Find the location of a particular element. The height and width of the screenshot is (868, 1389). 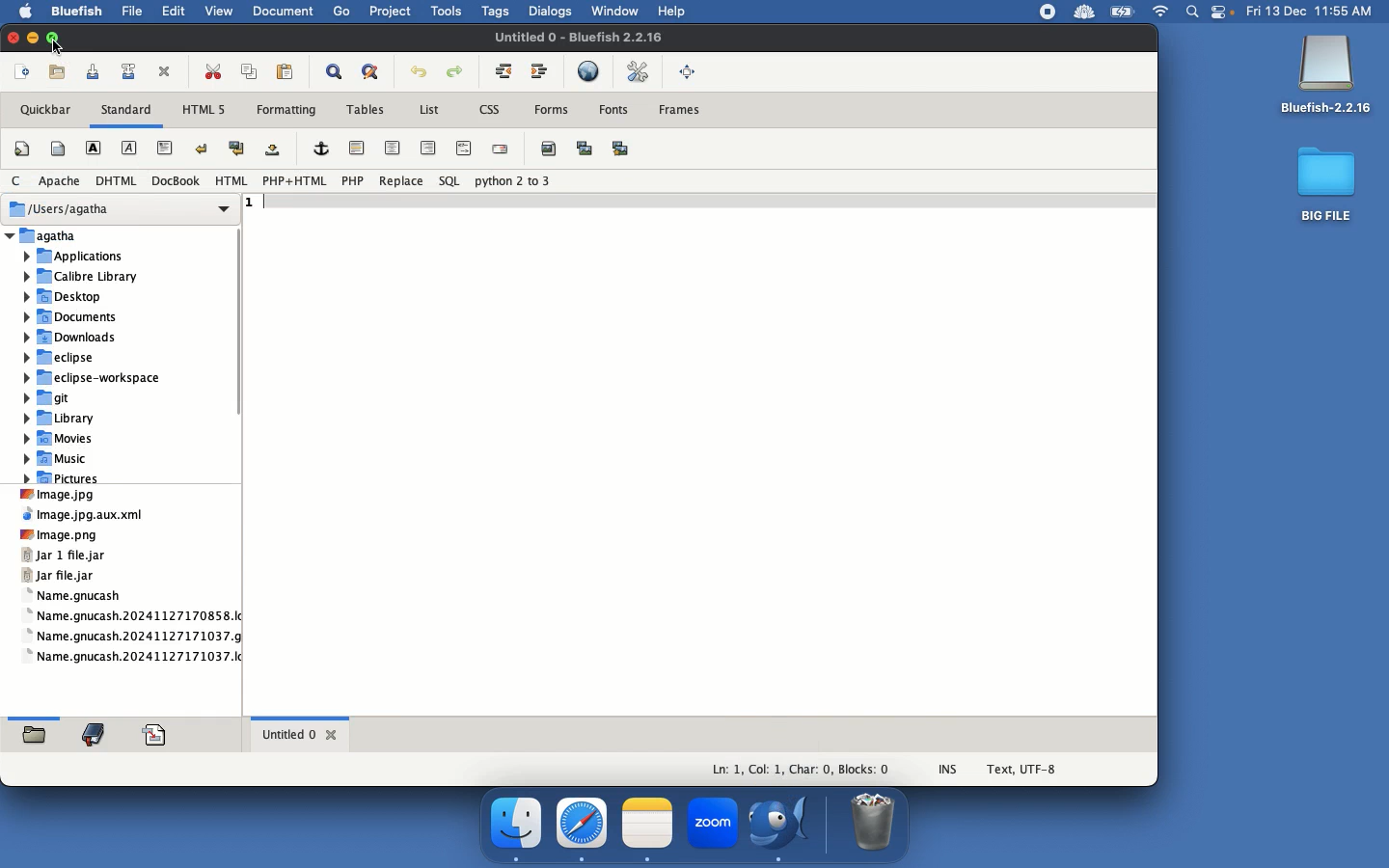

music is located at coordinates (62, 459).